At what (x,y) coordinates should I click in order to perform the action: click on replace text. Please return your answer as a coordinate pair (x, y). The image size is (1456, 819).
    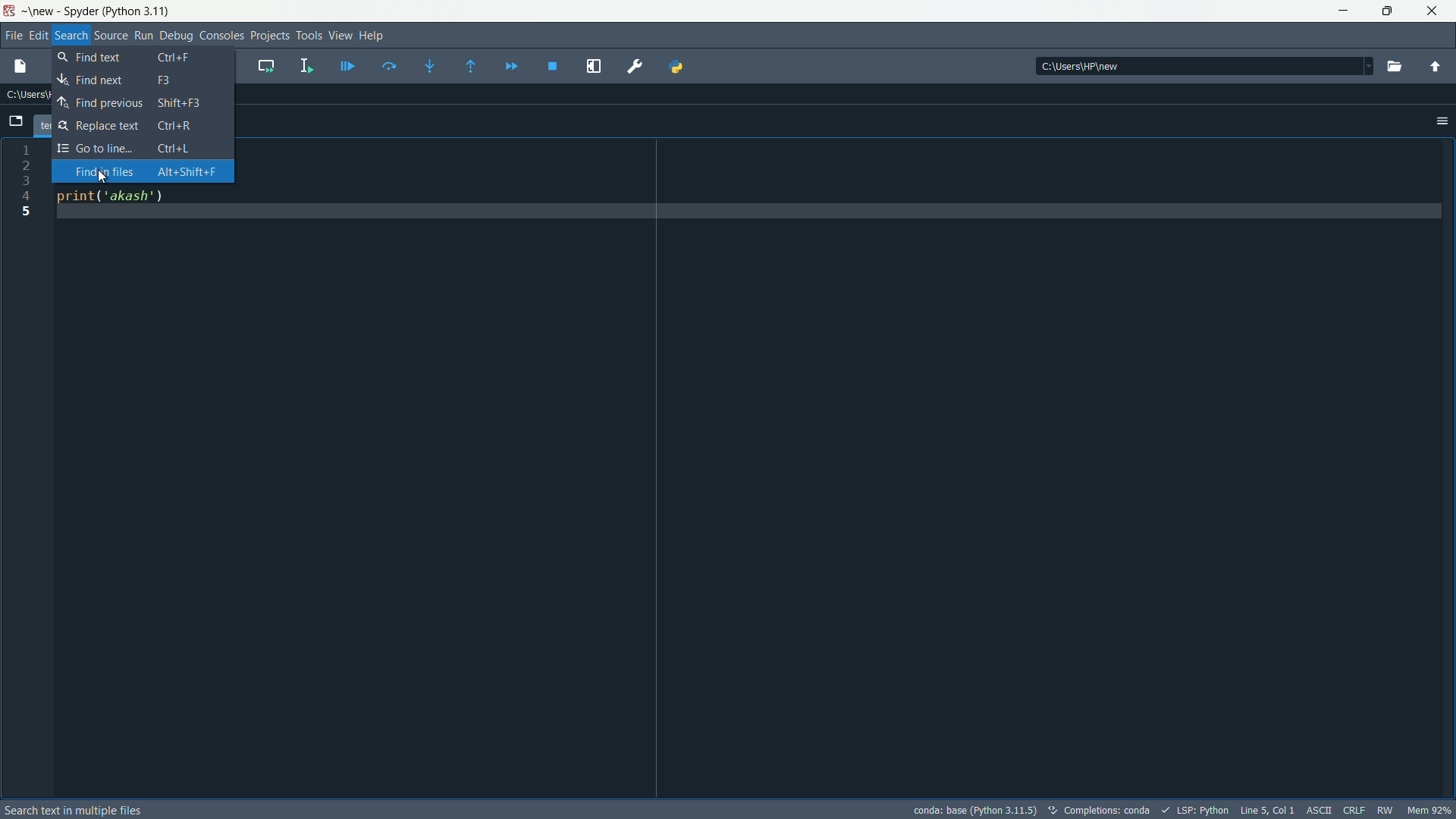
    Looking at the image, I should click on (143, 127).